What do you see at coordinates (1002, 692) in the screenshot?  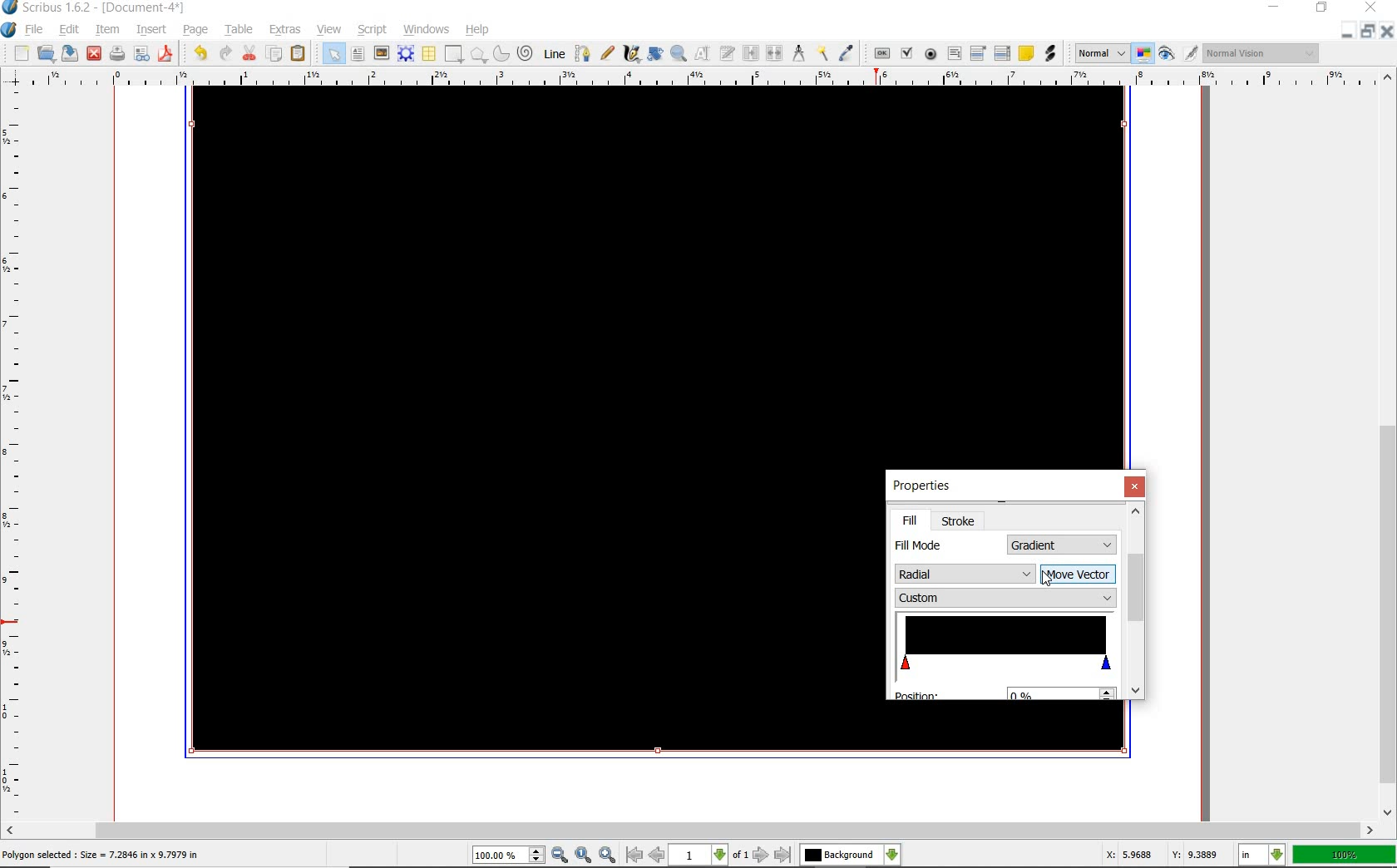 I see `position` at bounding box center [1002, 692].